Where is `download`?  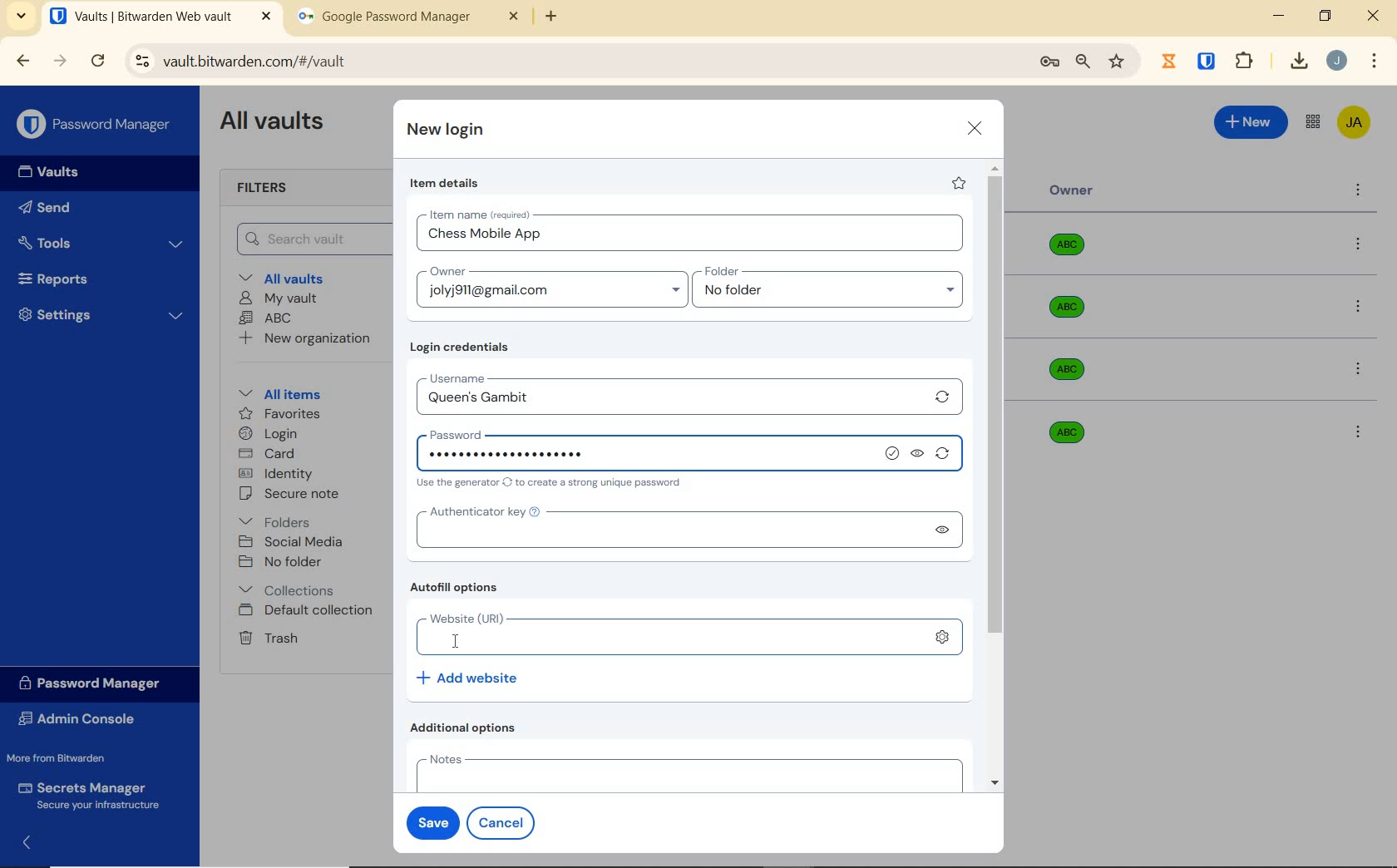 download is located at coordinates (1298, 61).